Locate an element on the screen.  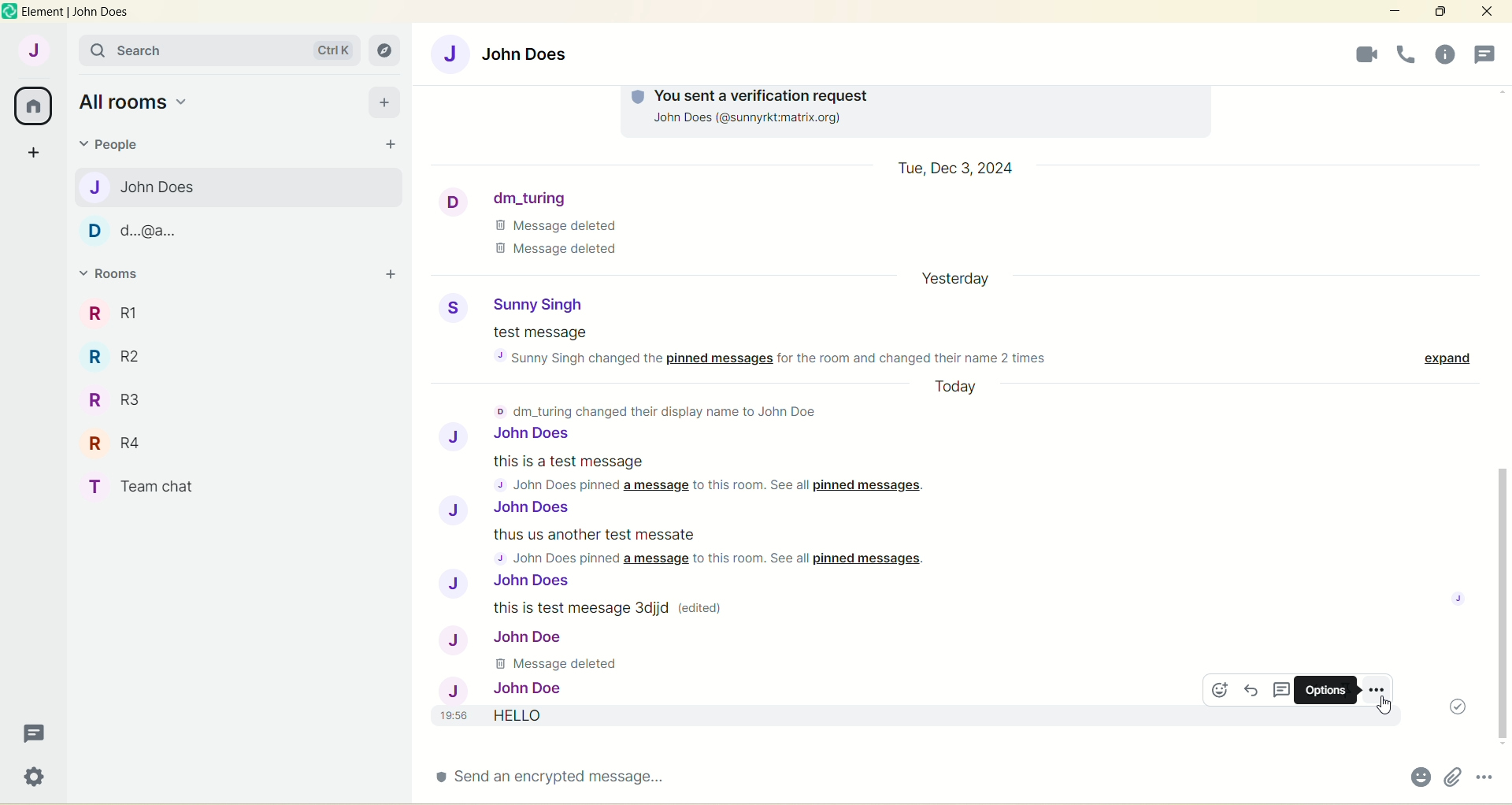
close is located at coordinates (1483, 13).